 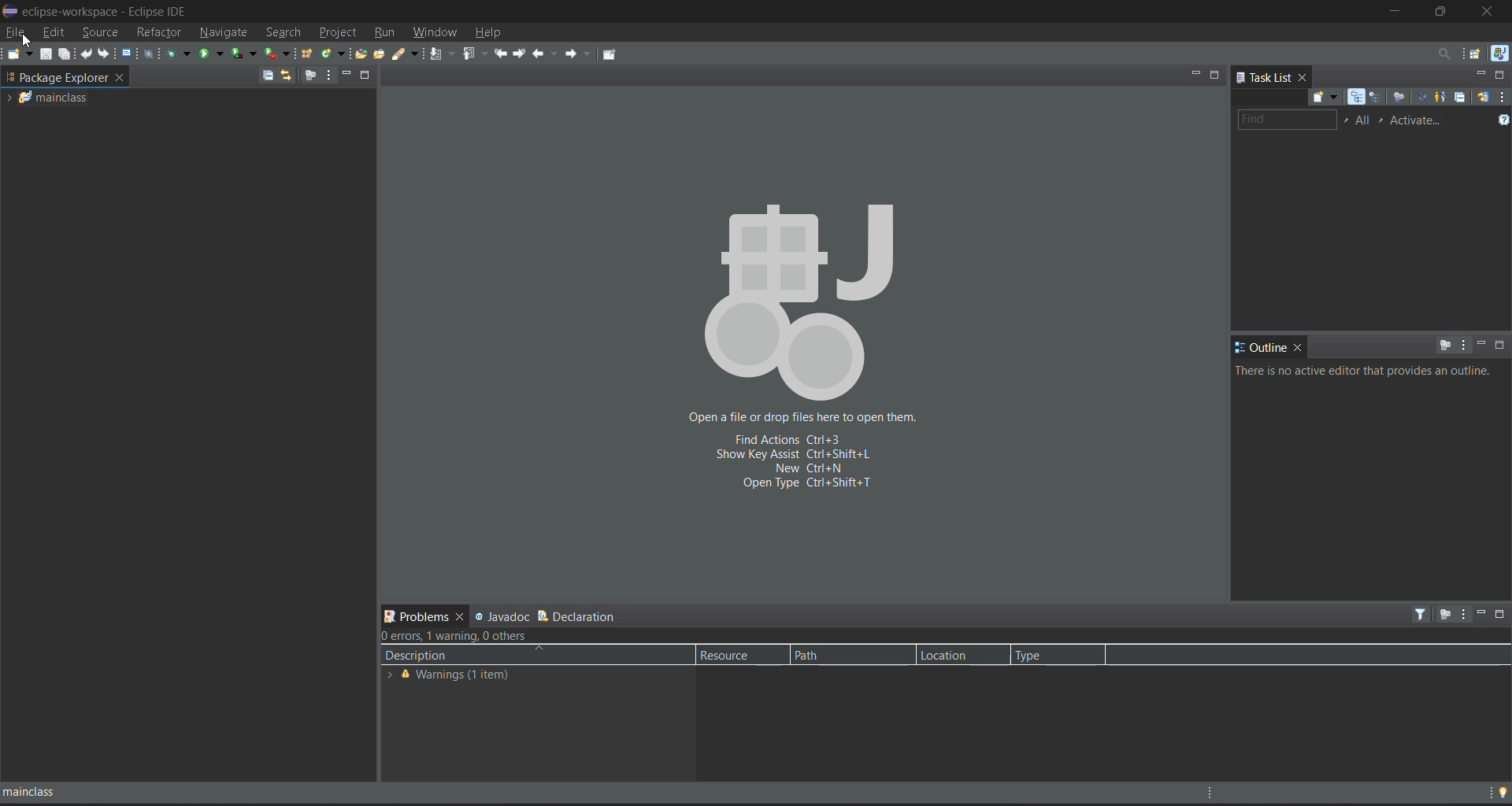 What do you see at coordinates (1462, 344) in the screenshot?
I see `view menu` at bounding box center [1462, 344].